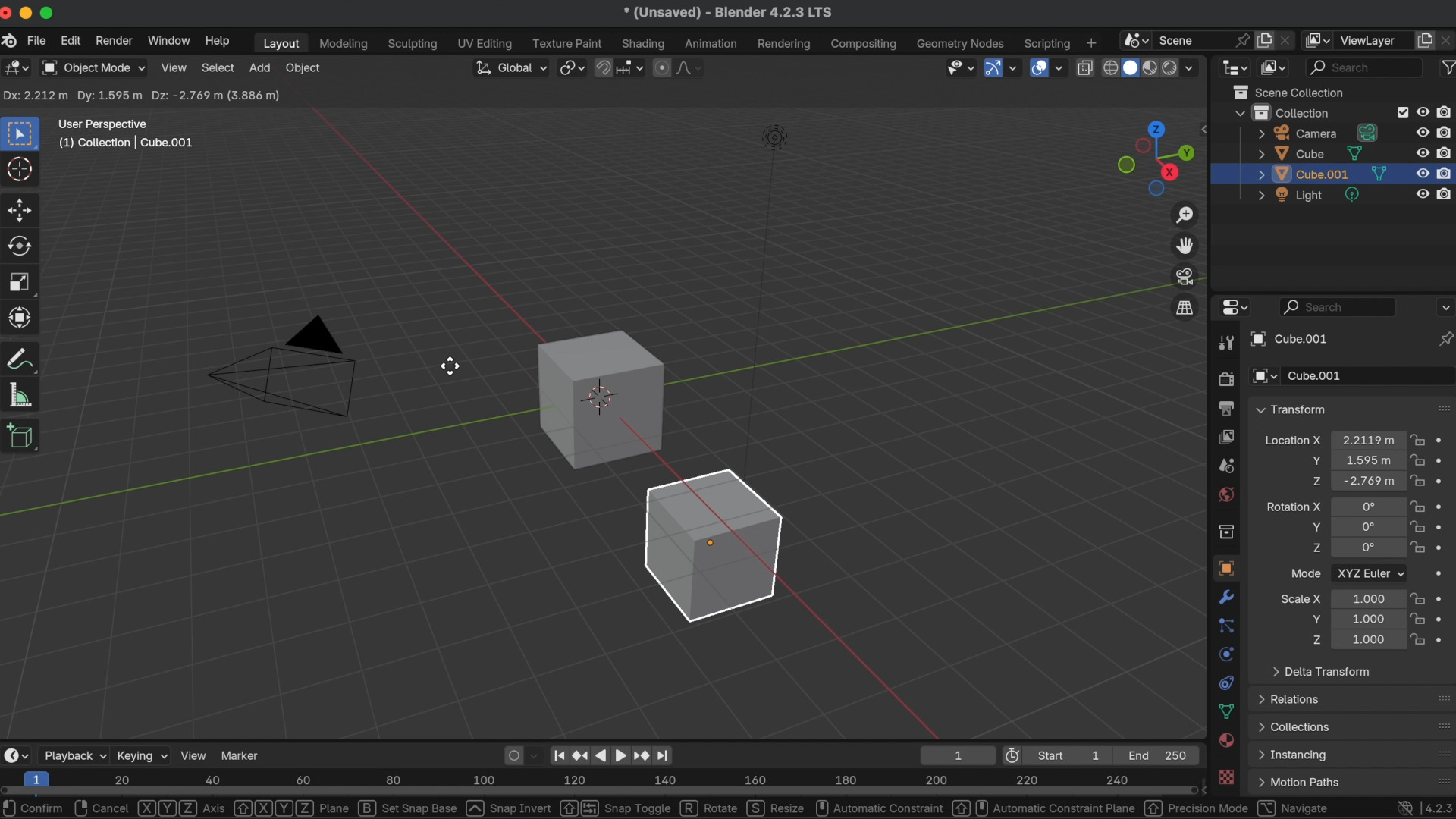  Describe the element at coordinates (1373, 40) in the screenshot. I see `view layer` at that location.